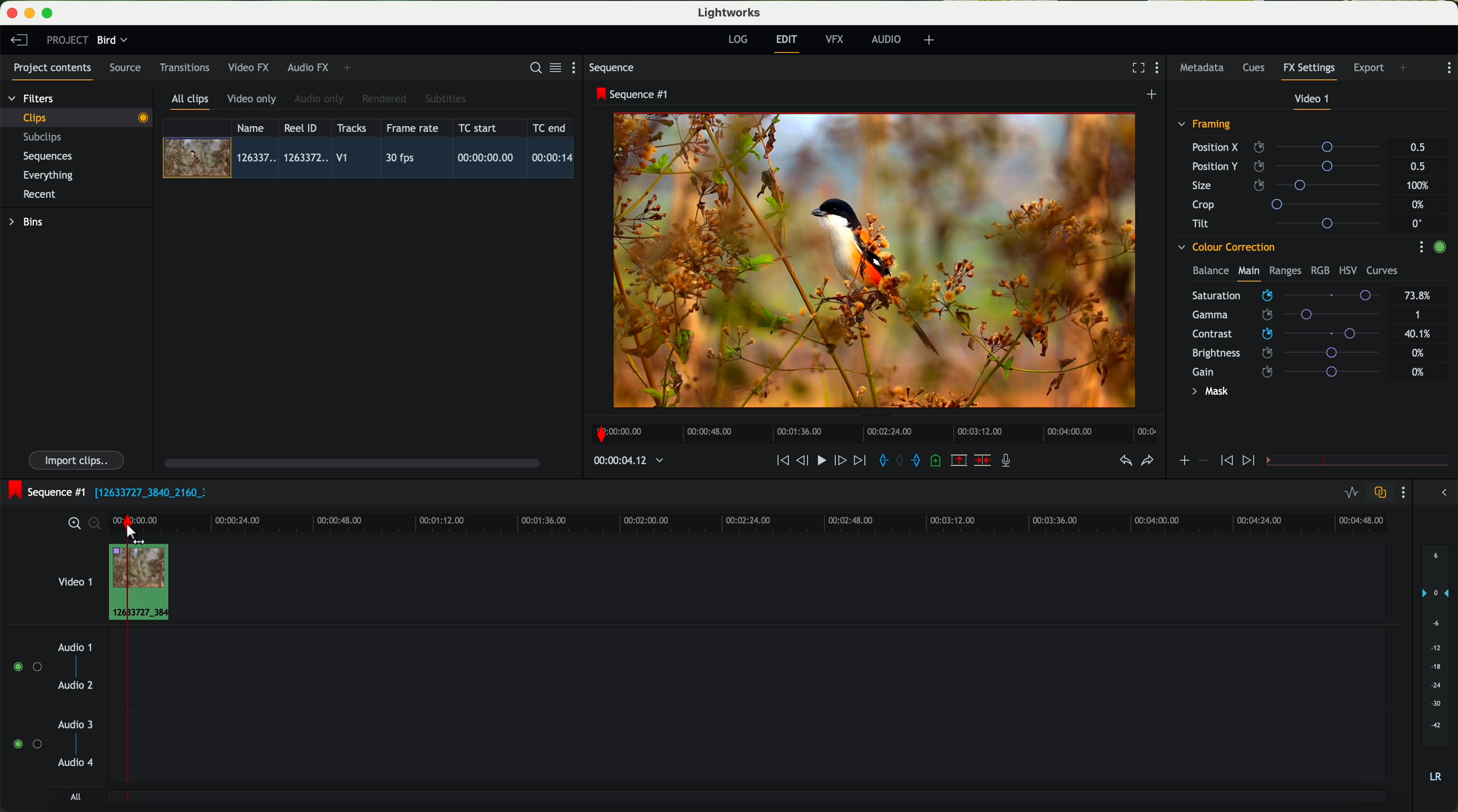  I want to click on click on contrast, so click(1286, 335).